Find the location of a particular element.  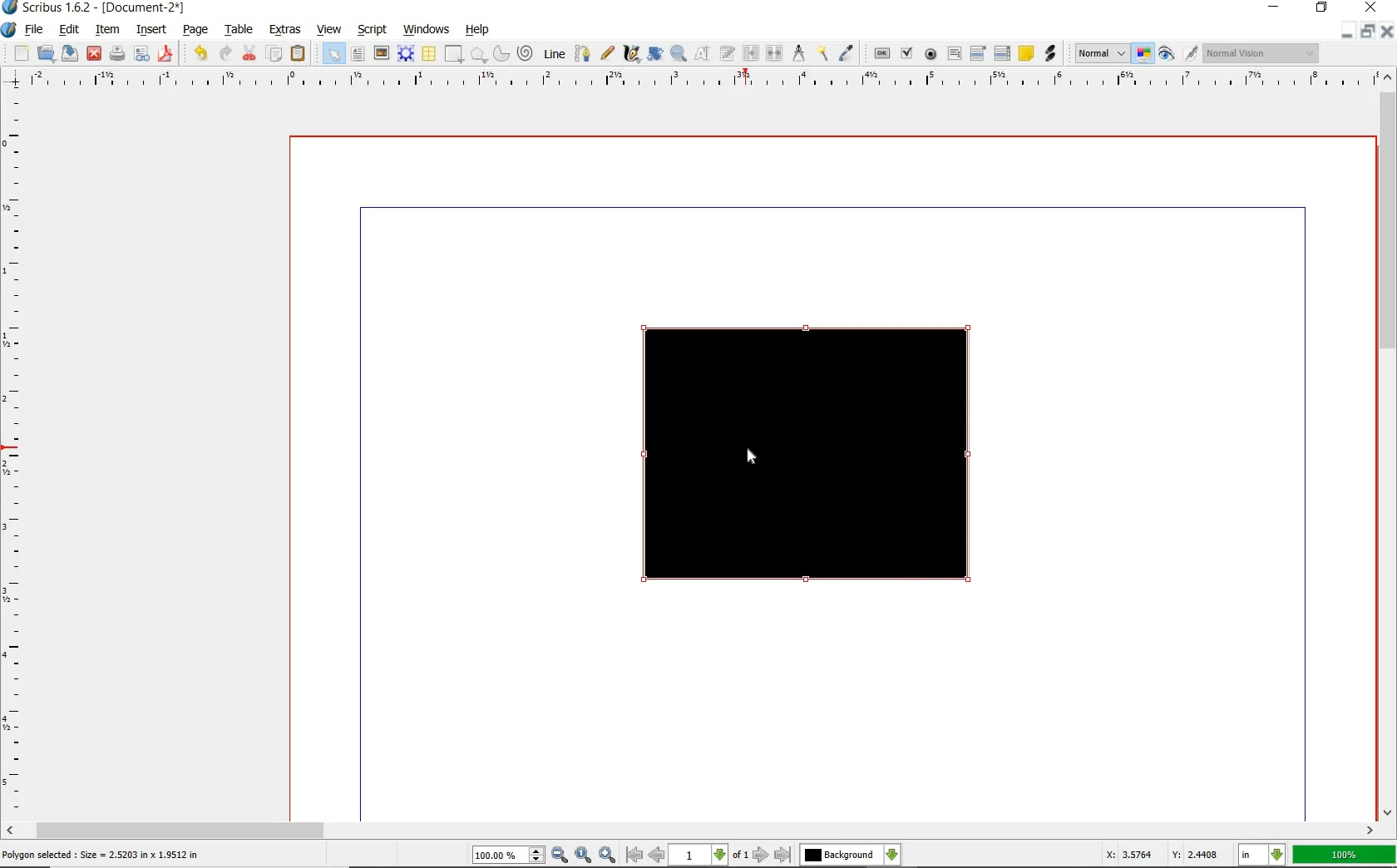

link annotation is located at coordinates (1050, 54).